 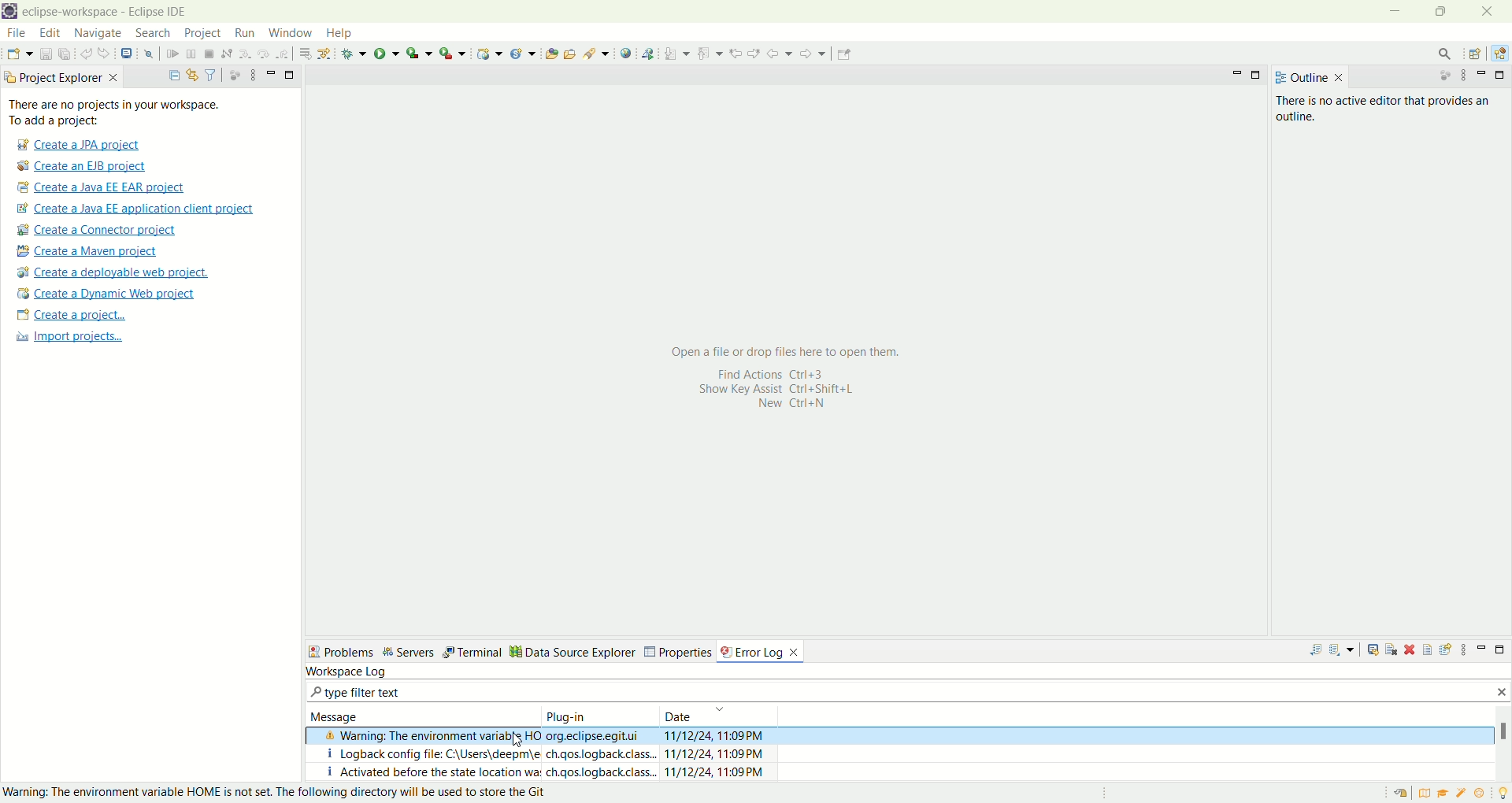 What do you see at coordinates (282, 792) in the screenshot?
I see `Warning: The enviornment variable HOME is not set. The following directory will be used to store the gift.` at bounding box center [282, 792].